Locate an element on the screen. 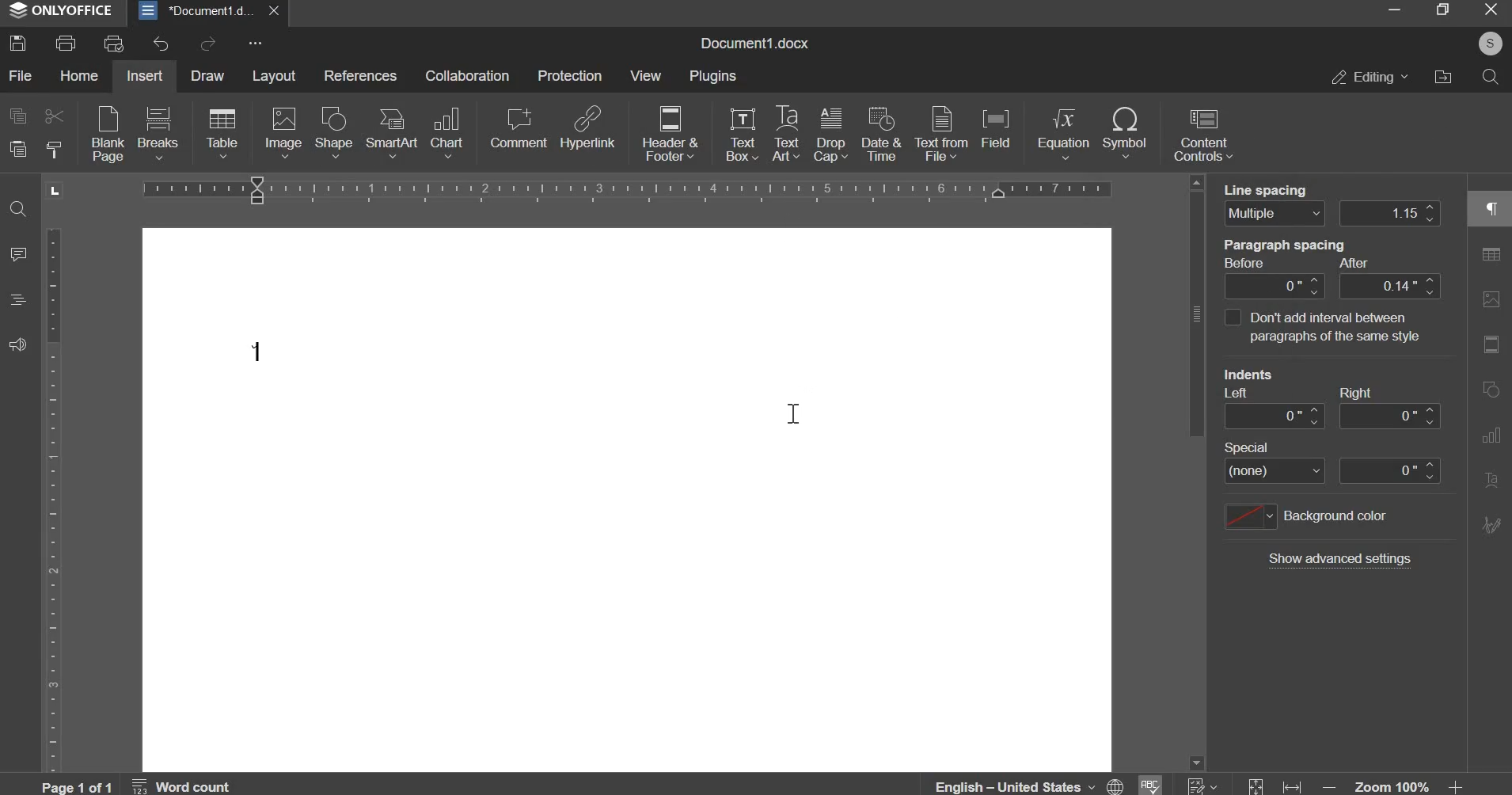 This screenshot has width=1512, height=795. name of document is located at coordinates (754, 44).